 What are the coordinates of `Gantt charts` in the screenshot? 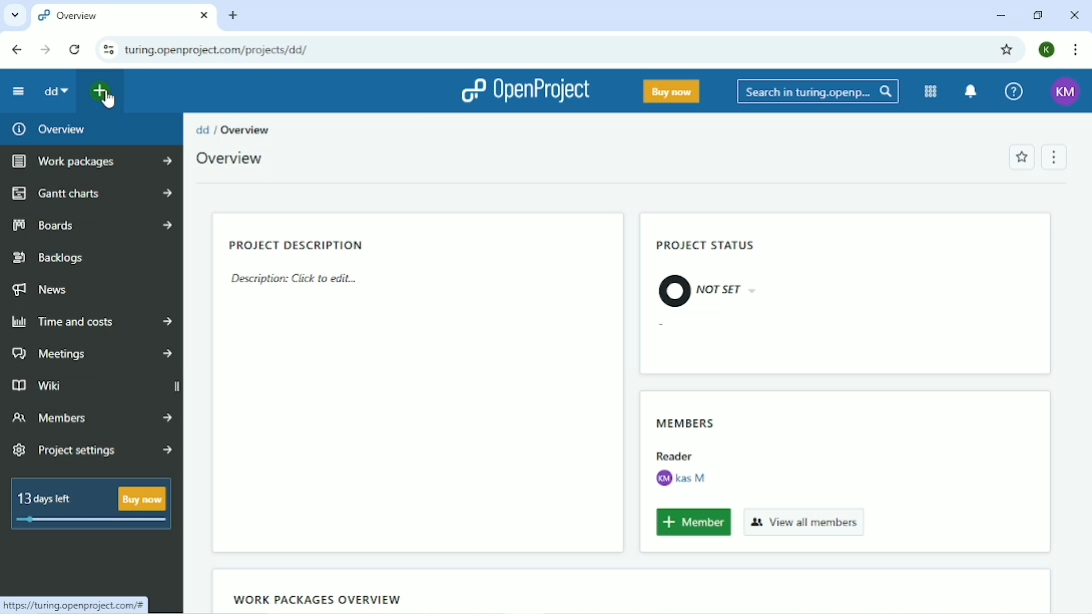 It's located at (94, 194).